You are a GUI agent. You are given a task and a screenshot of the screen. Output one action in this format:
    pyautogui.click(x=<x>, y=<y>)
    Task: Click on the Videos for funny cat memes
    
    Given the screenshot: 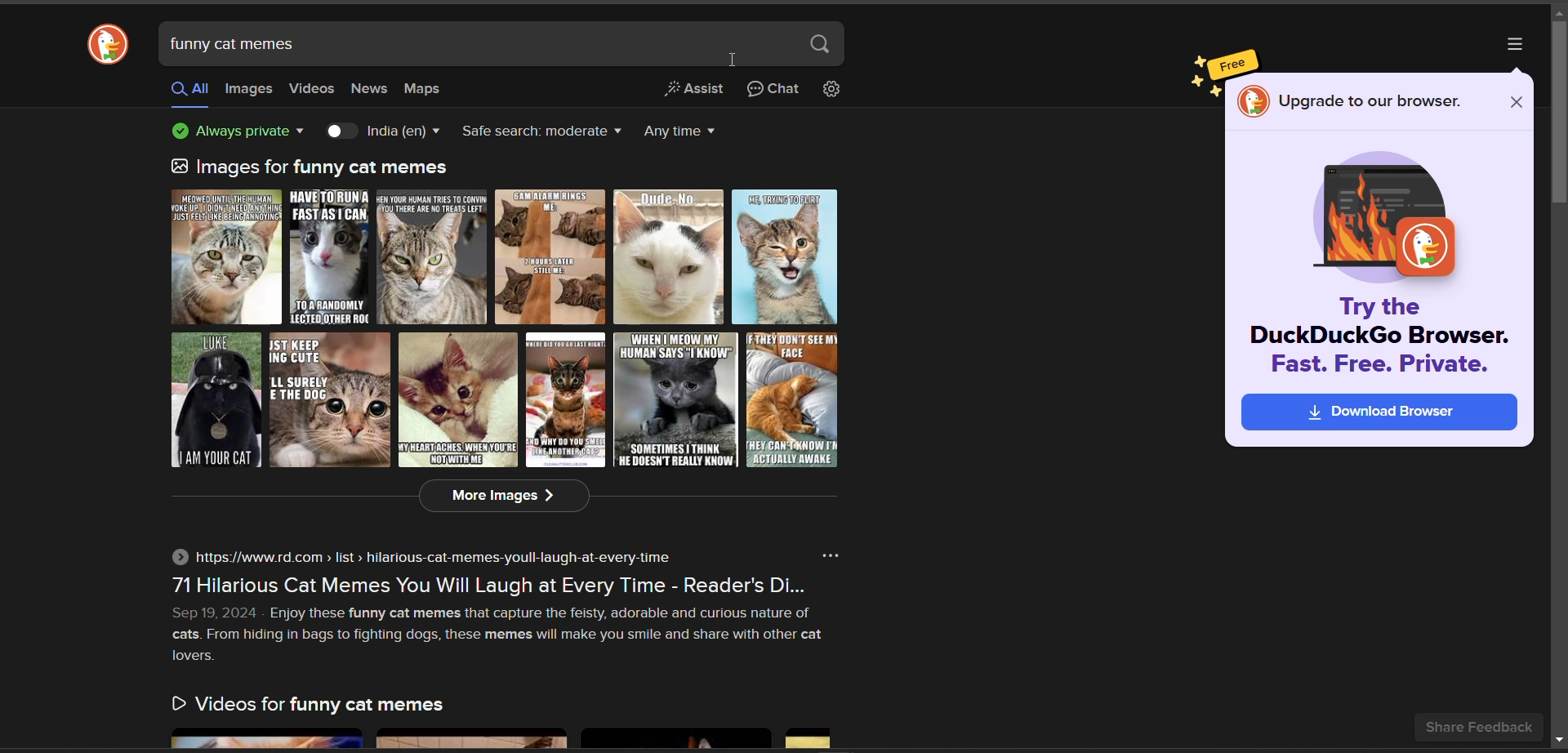 What is the action you would take?
    pyautogui.click(x=306, y=706)
    